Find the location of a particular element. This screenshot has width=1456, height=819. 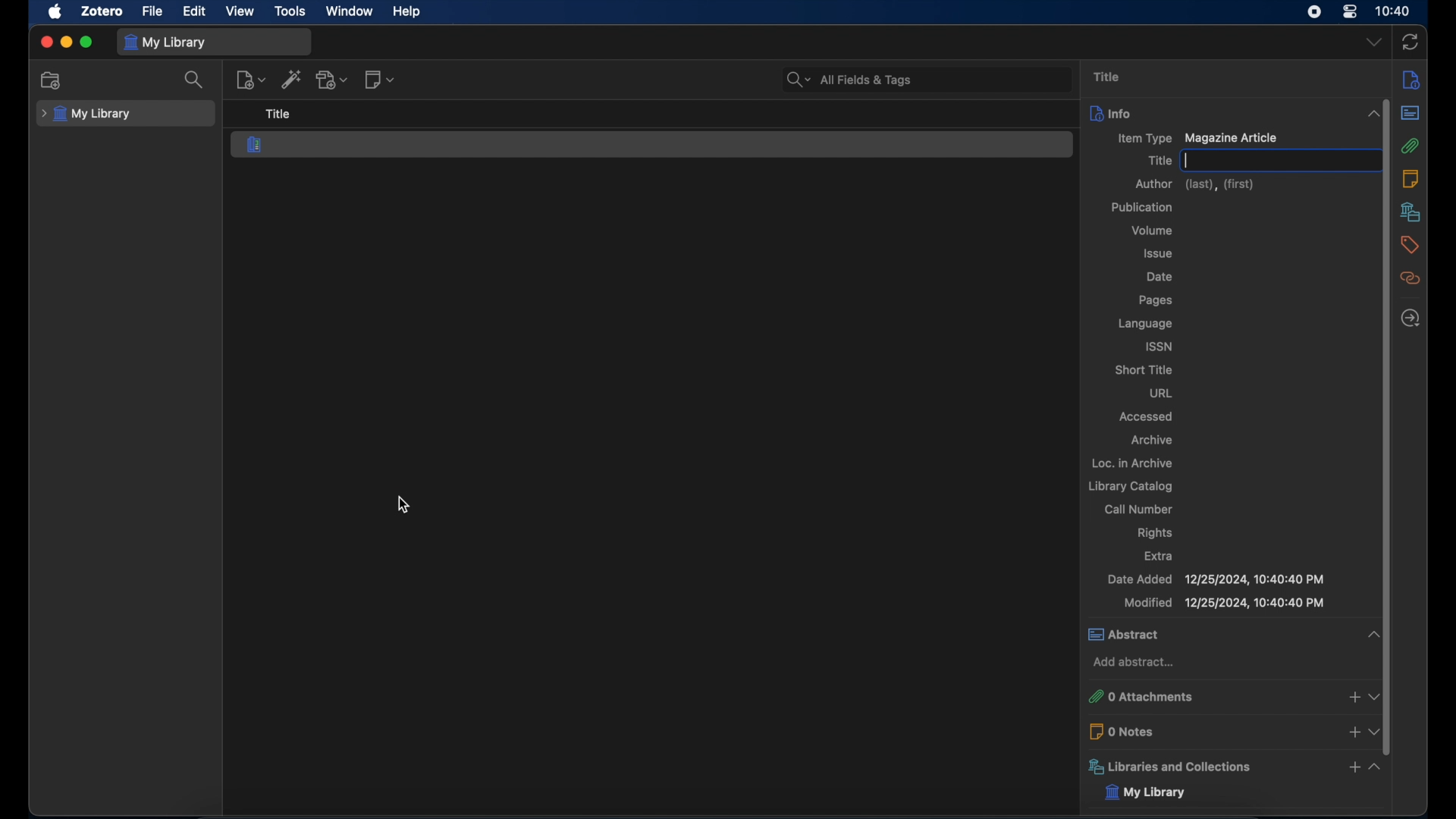

tags is located at coordinates (1410, 246).